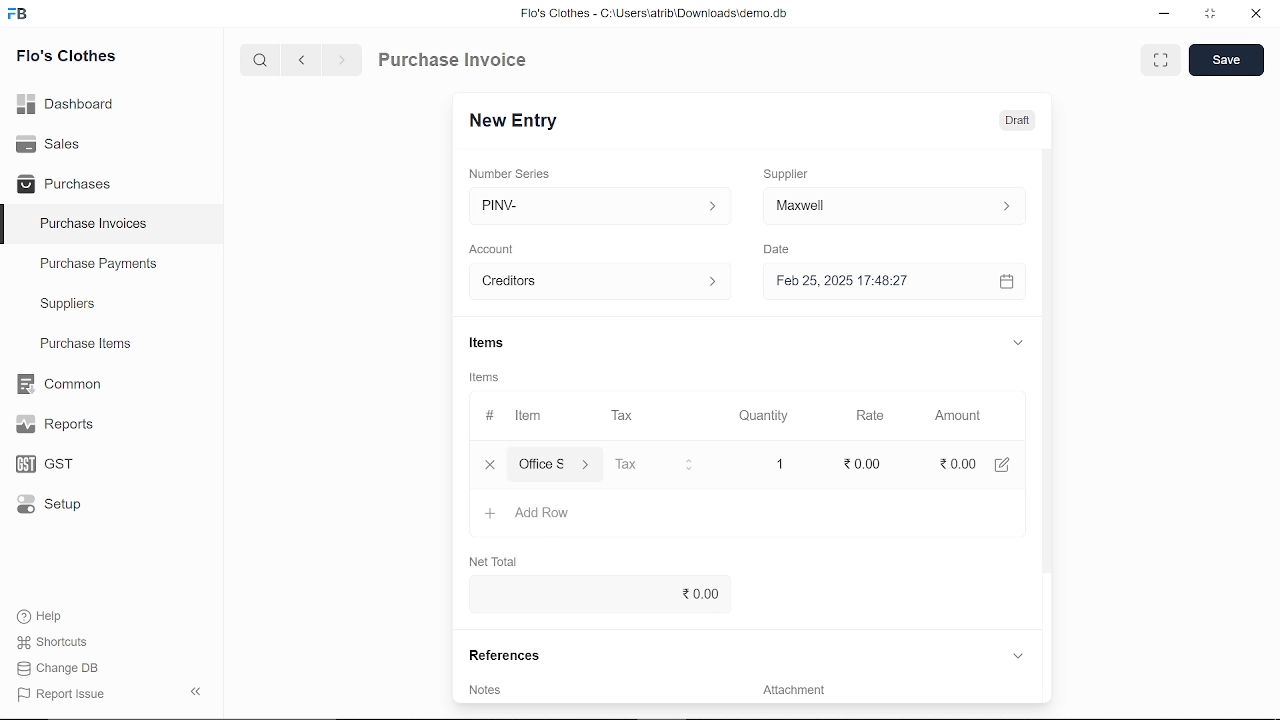 Image resolution: width=1280 pixels, height=720 pixels. What do you see at coordinates (529, 514) in the screenshot?
I see ` Add Row` at bounding box center [529, 514].